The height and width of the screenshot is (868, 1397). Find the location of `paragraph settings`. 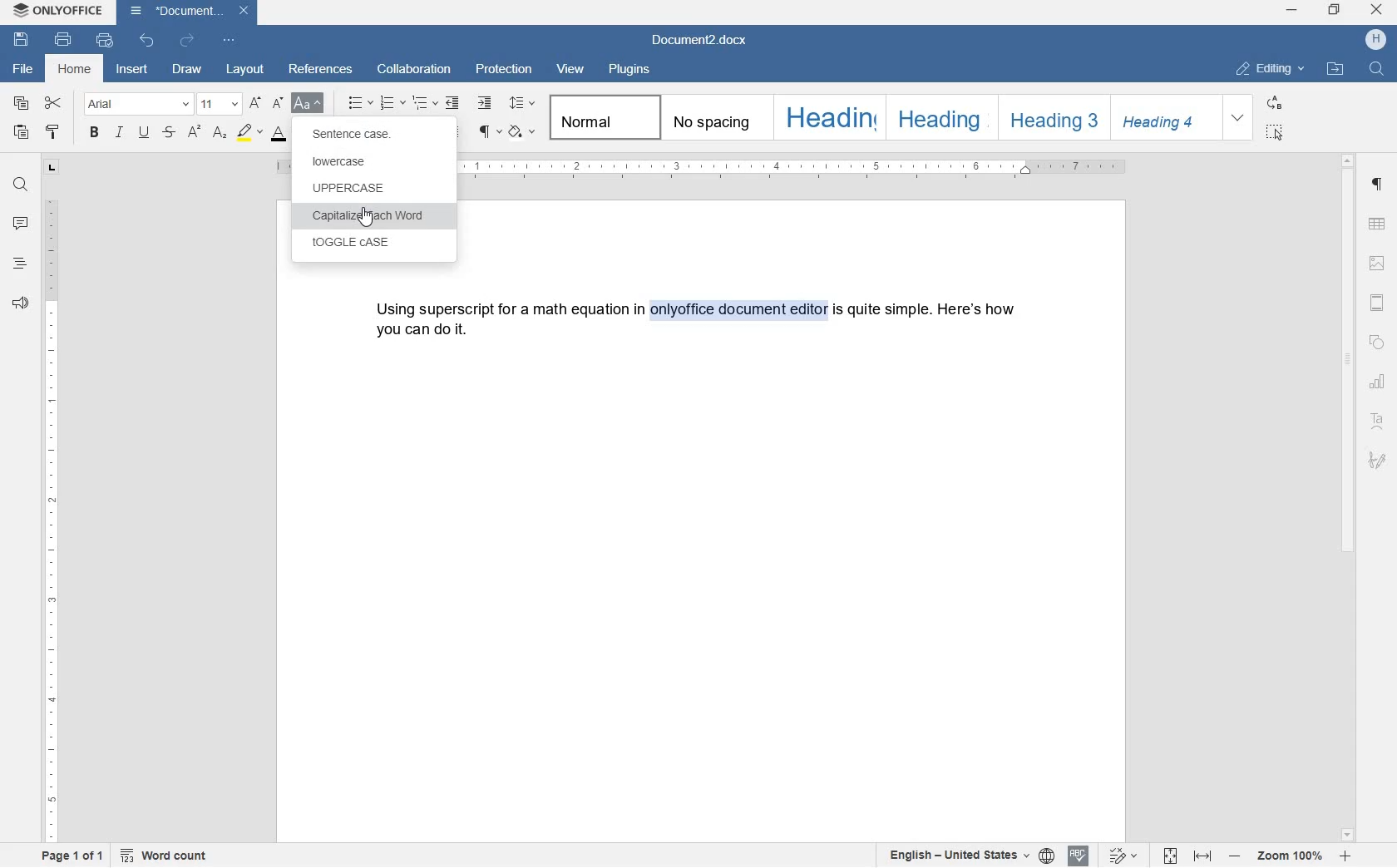

paragraph settings is located at coordinates (1378, 185).